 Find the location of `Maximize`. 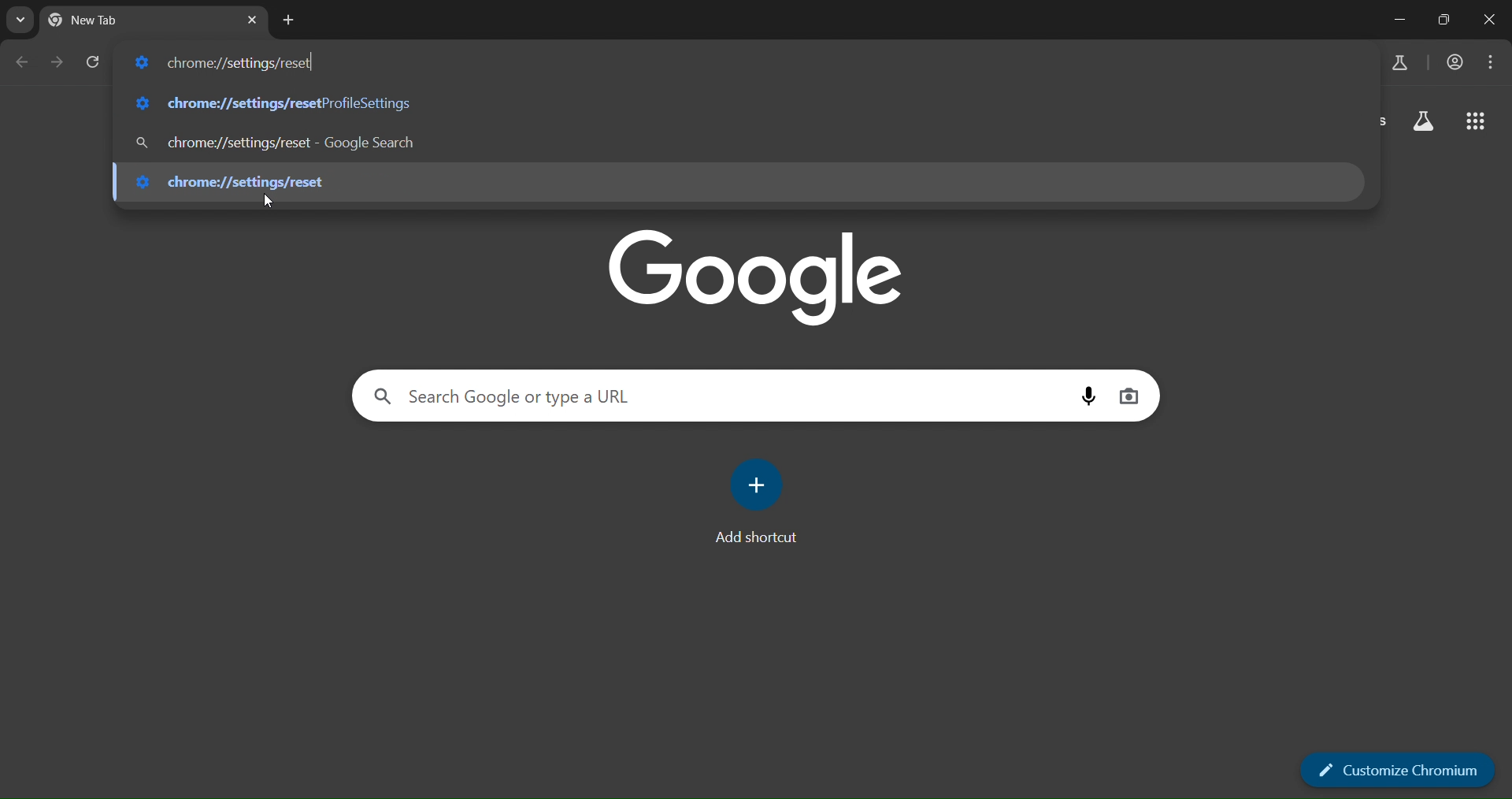

Maximize is located at coordinates (1447, 19).